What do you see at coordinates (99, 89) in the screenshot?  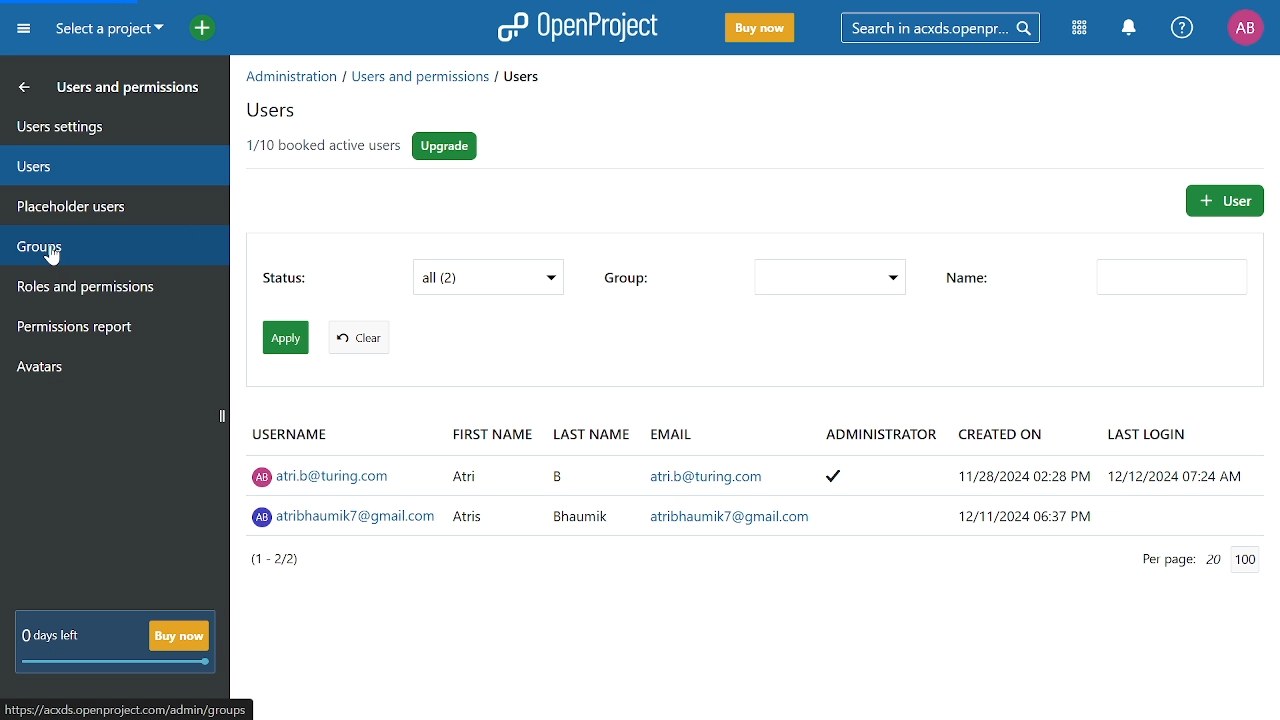 I see `Users and permission` at bounding box center [99, 89].